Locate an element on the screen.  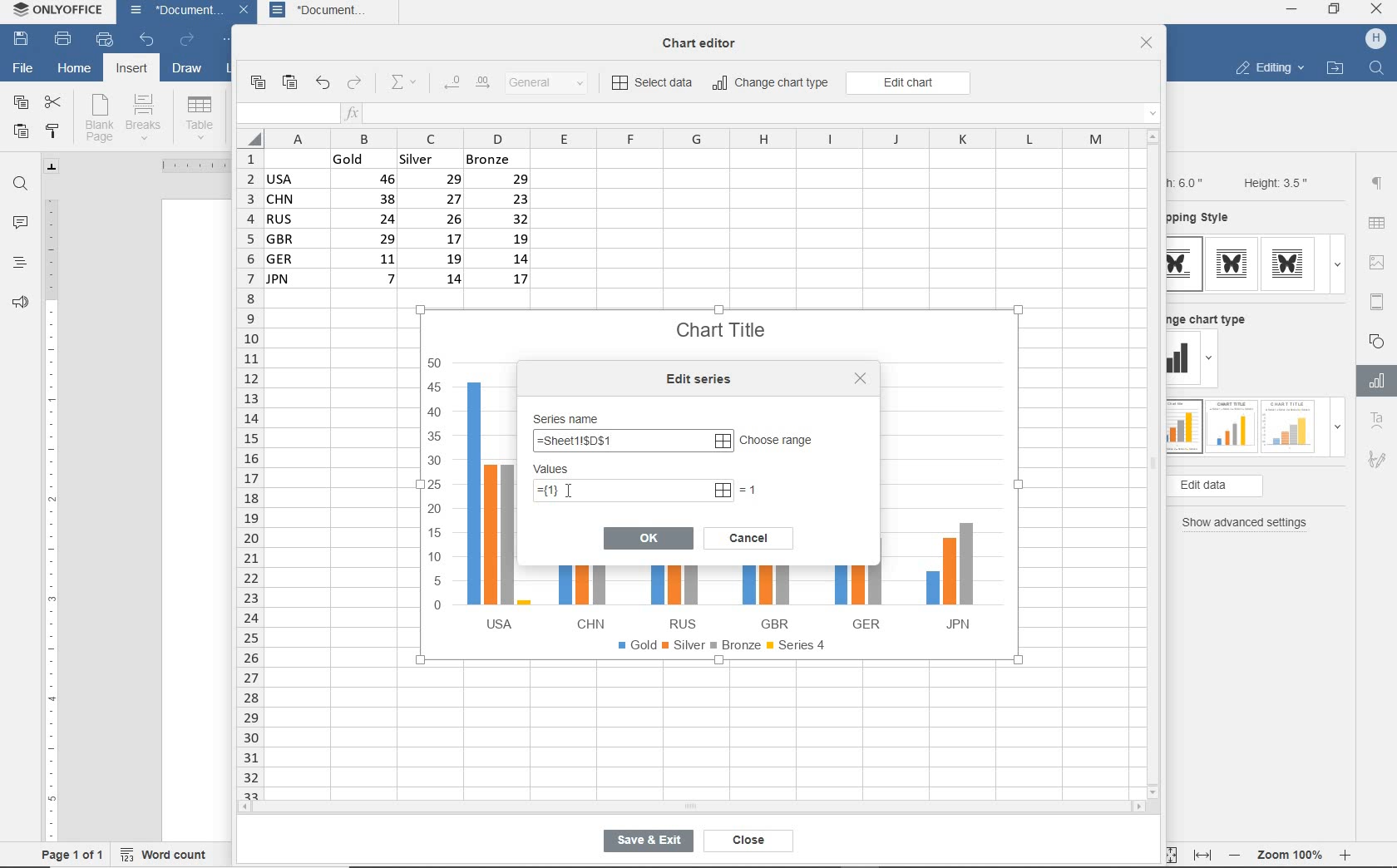
cut is located at coordinates (54, 101).